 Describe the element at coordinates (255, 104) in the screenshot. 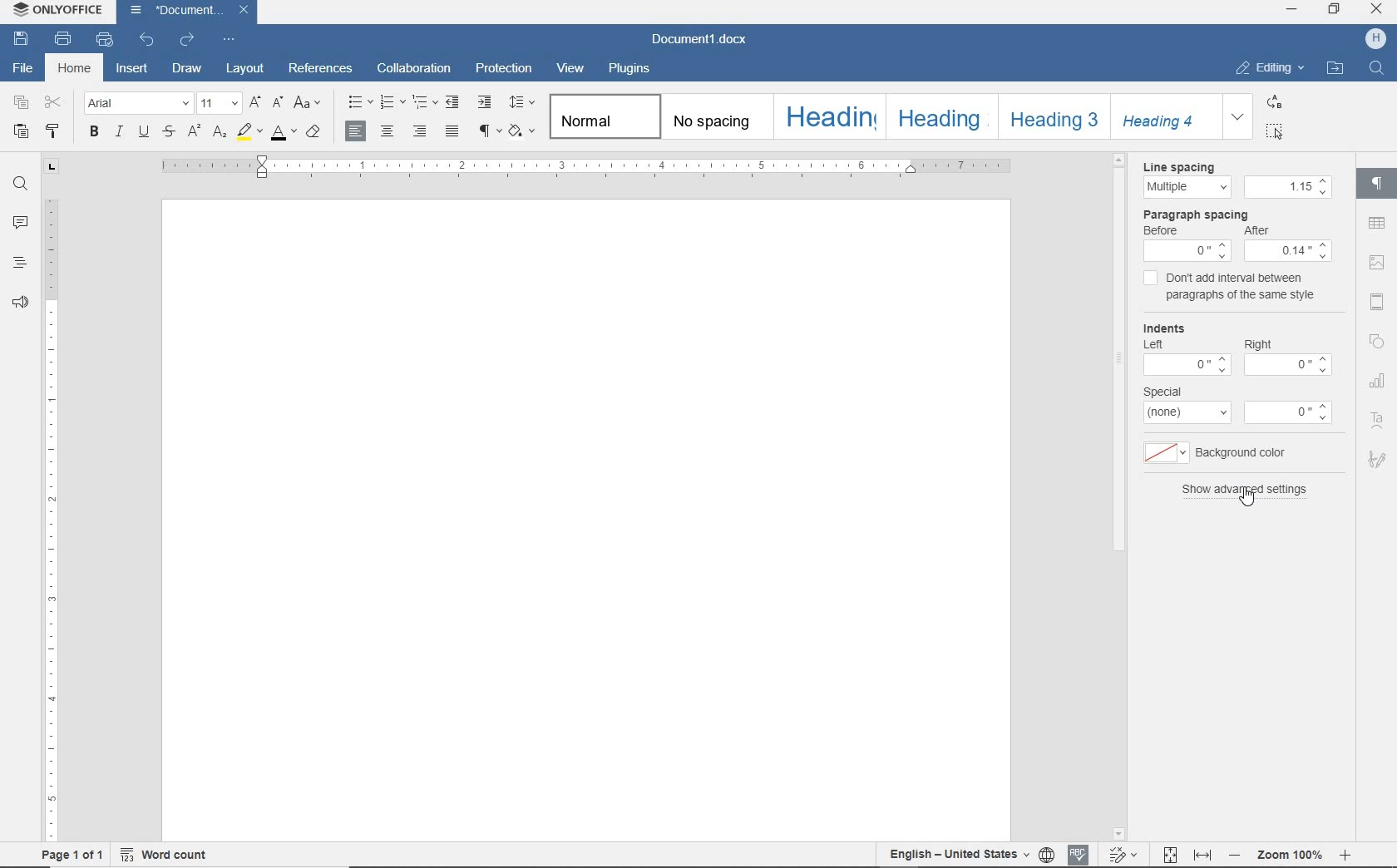

I see `increment font size` at that location.